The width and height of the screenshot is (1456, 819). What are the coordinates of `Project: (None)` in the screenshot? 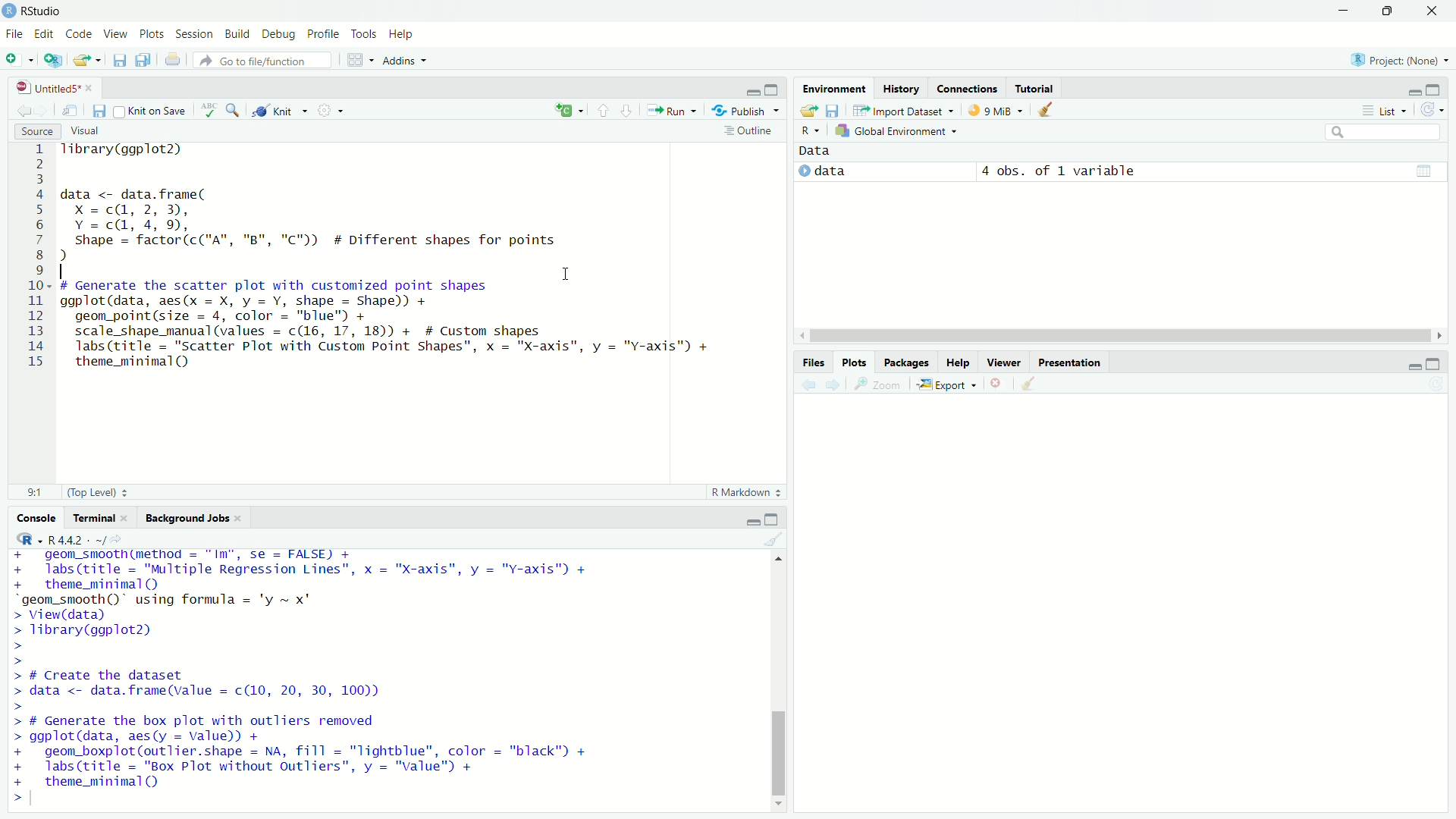 It's located at (1398, 60).